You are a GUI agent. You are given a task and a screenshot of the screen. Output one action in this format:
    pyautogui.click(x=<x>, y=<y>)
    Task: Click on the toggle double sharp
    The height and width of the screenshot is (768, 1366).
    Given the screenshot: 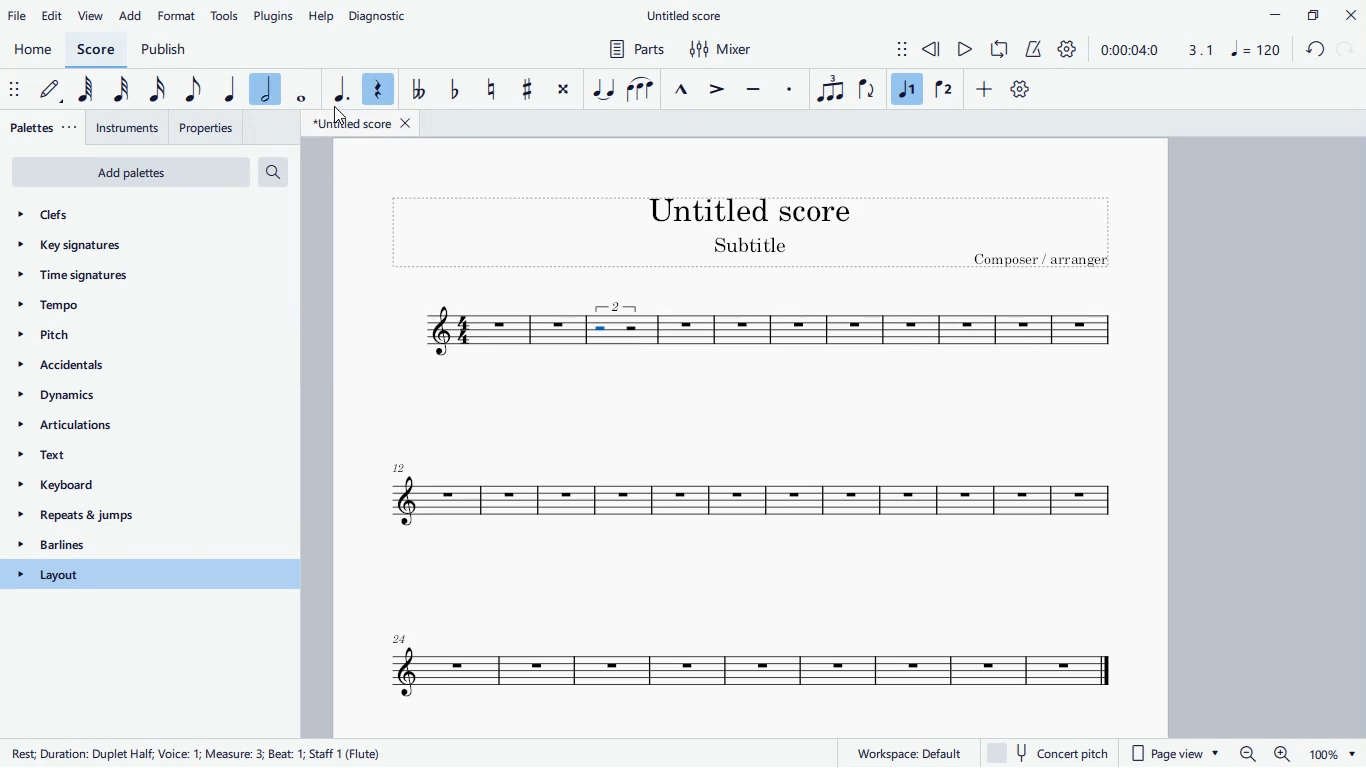 What is the action you would take?
    pyautogui.click(x=563, y=93)
    